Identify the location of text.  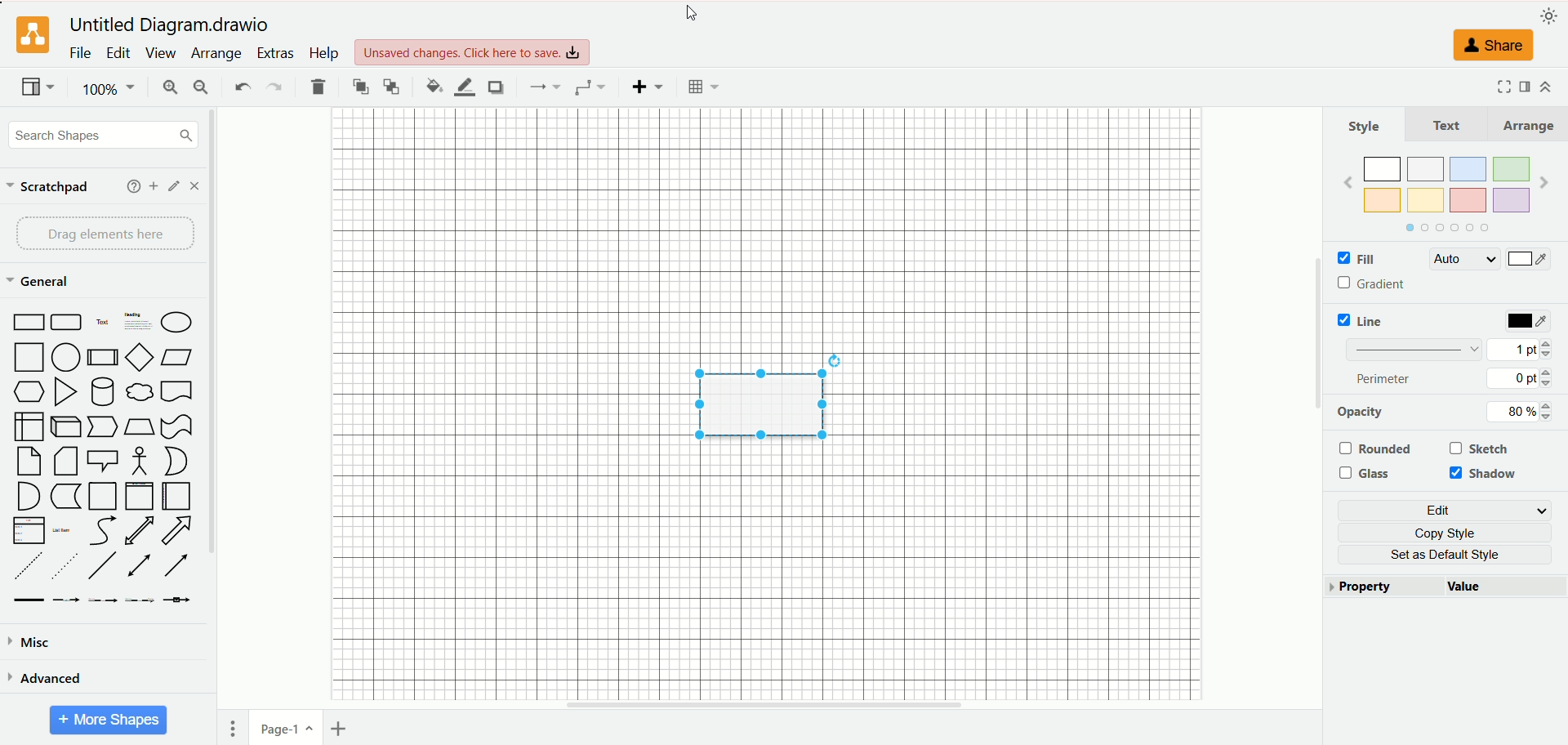
(1447, 124).